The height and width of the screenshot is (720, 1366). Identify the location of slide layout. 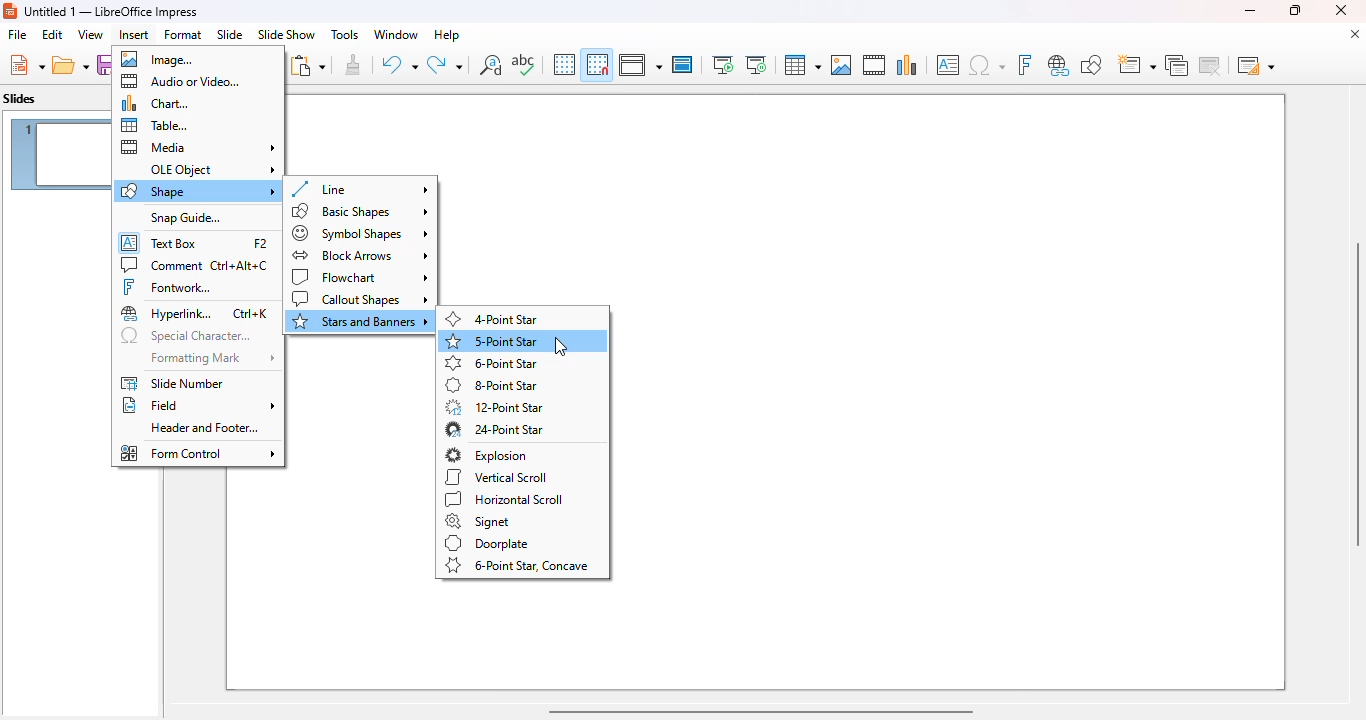
(1256, 65).